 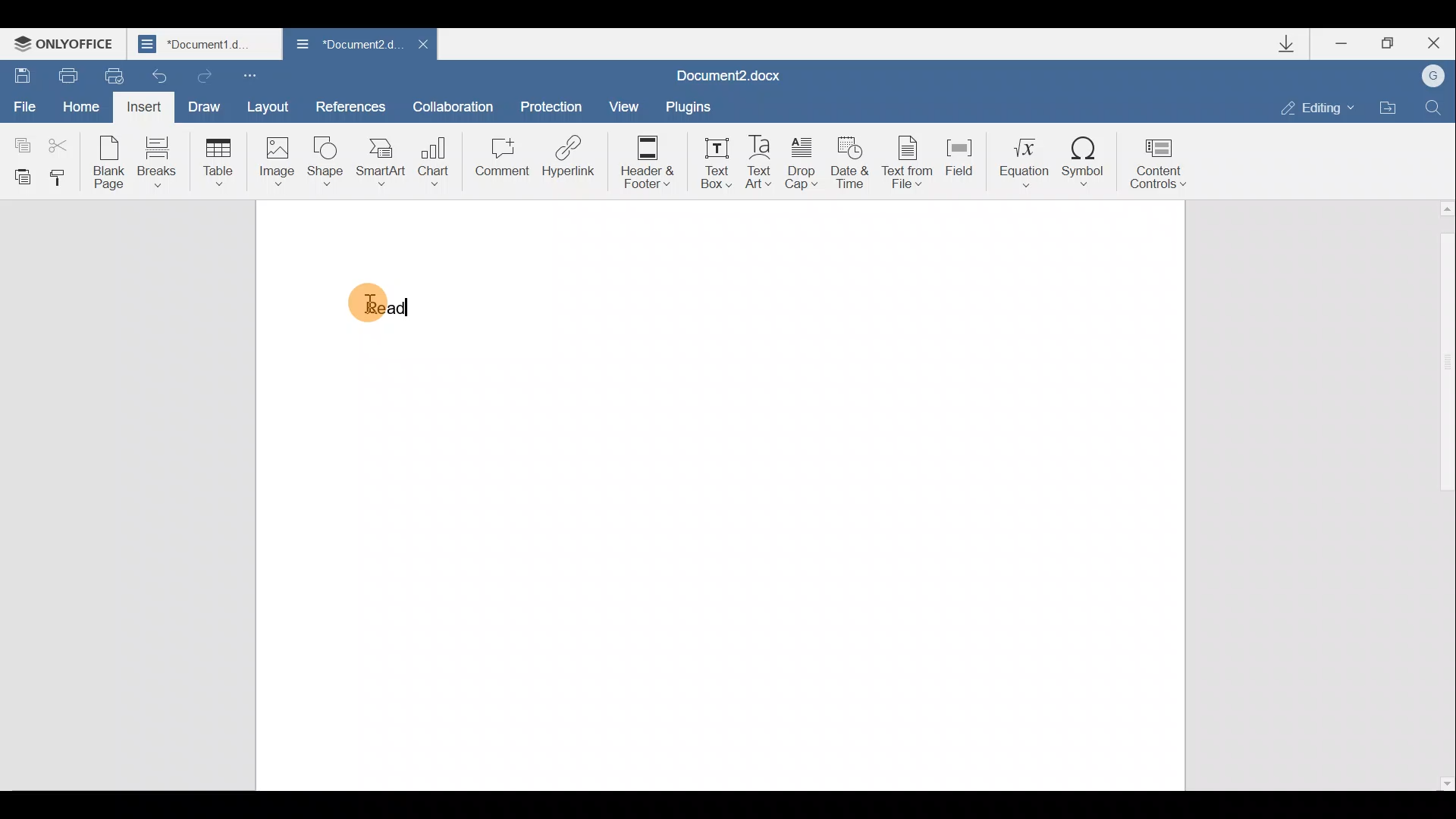 What do you see at coordinates (323, 162) in the screenshot?
I see `Shape` at bounding box center [323, 162].